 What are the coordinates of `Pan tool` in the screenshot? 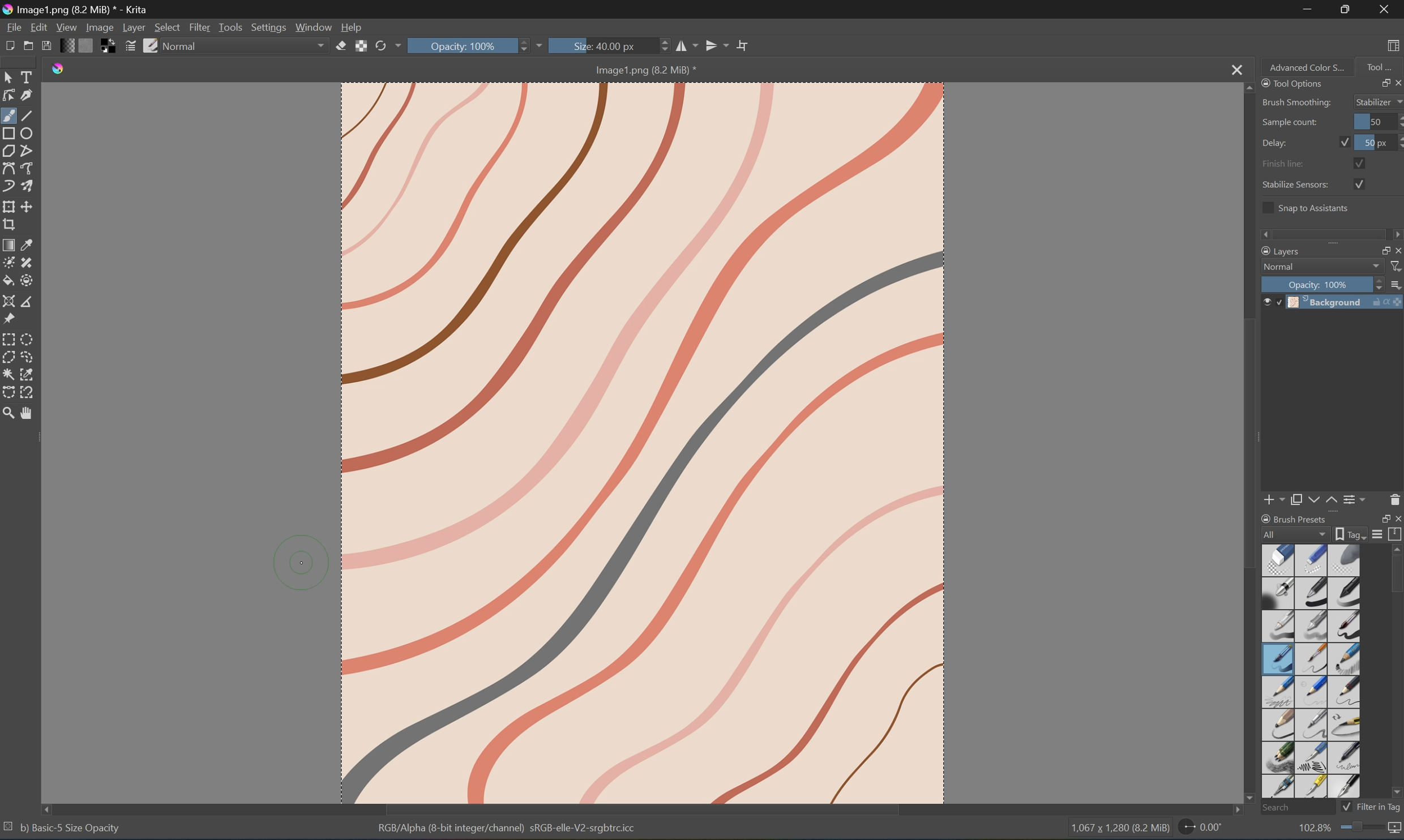 It's located at (28, 415).